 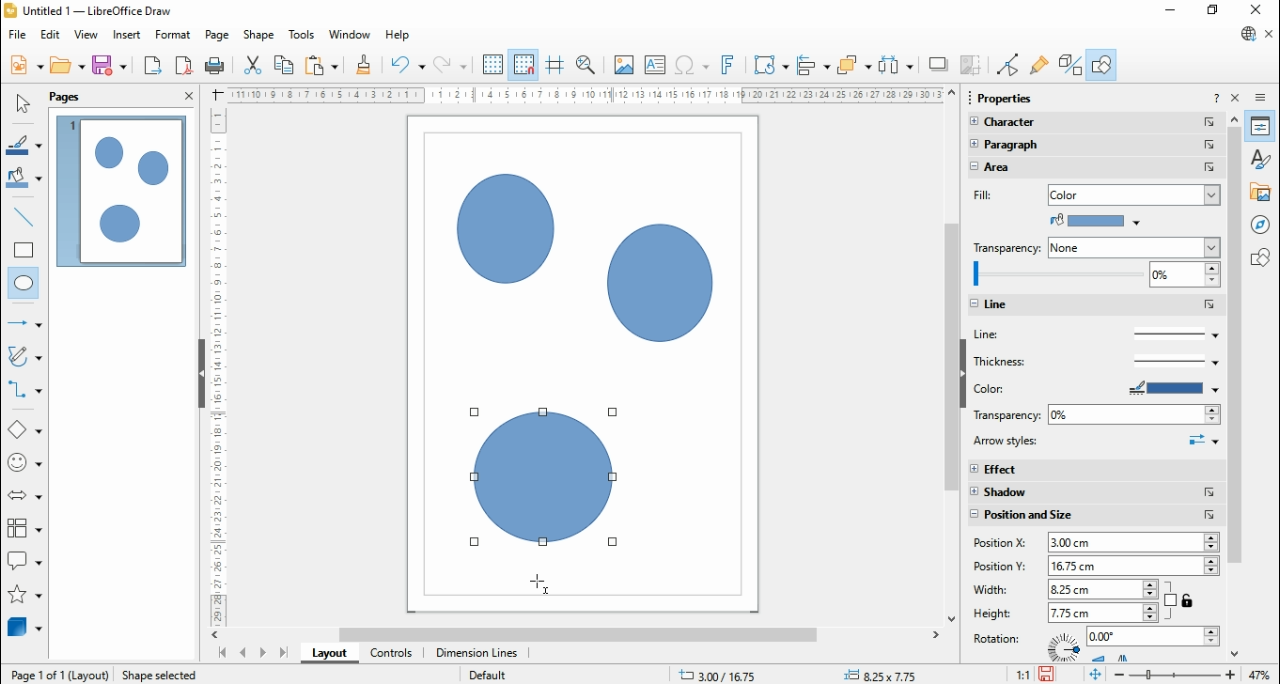 What do you see at coordinates (1096, 305) in the screenshot?
I see `line` at bounding box center [1096, 305].